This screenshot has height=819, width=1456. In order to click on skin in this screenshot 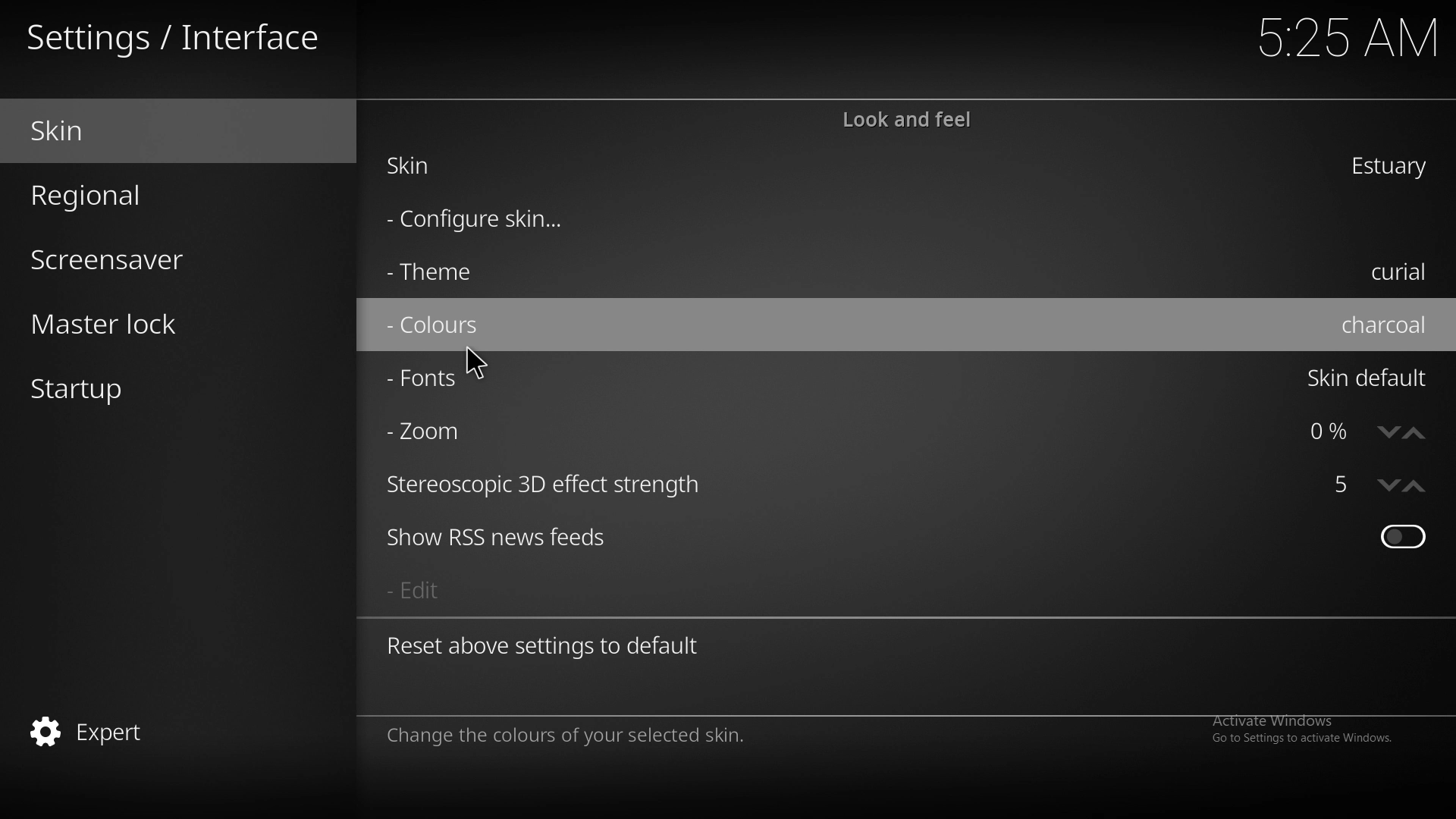, I will do `click(441, 164)`.